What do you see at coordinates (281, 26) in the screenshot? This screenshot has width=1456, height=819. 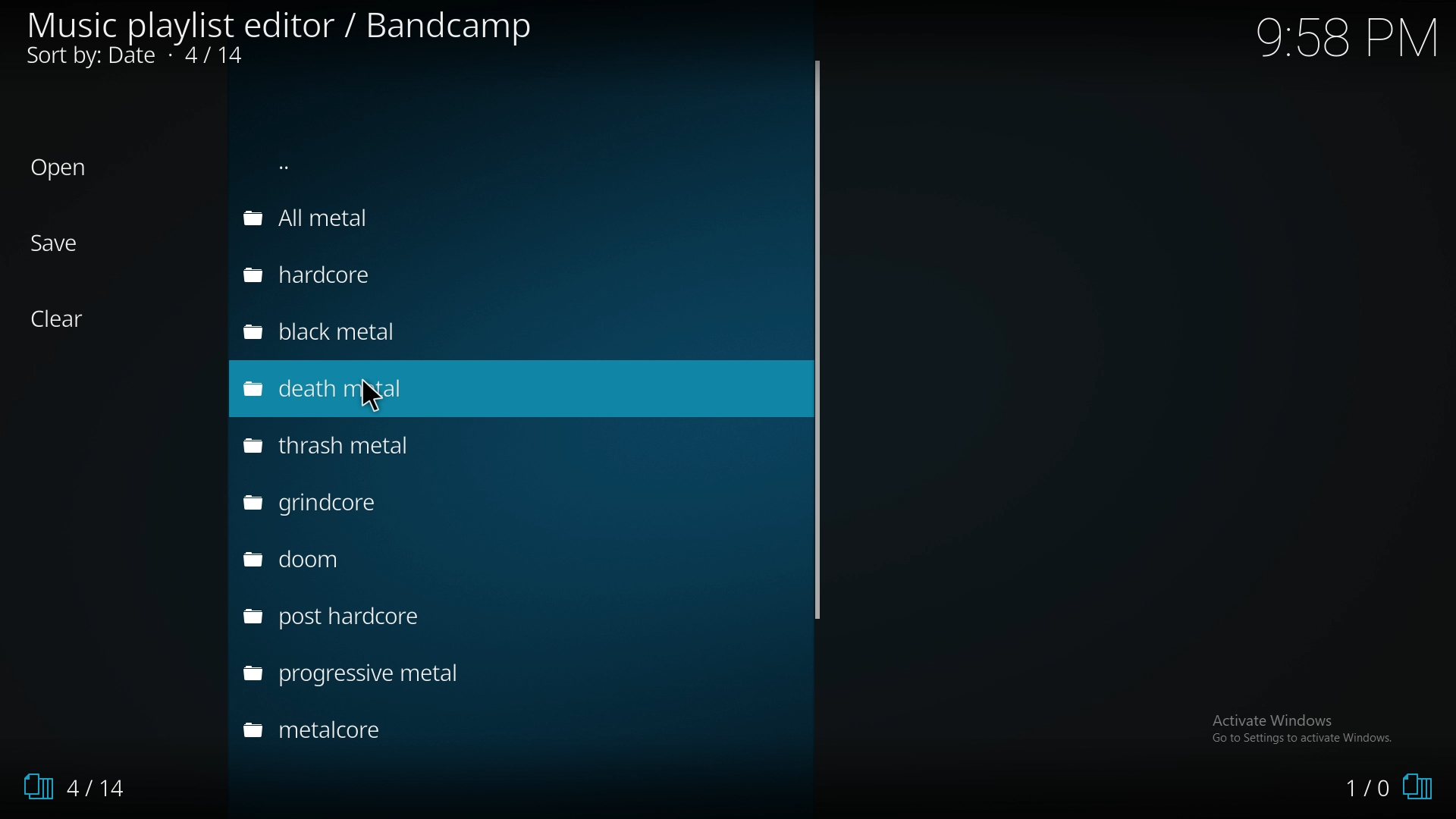 I see `Music playlist editor / Bandcamp` at bounding box center [281, 26].